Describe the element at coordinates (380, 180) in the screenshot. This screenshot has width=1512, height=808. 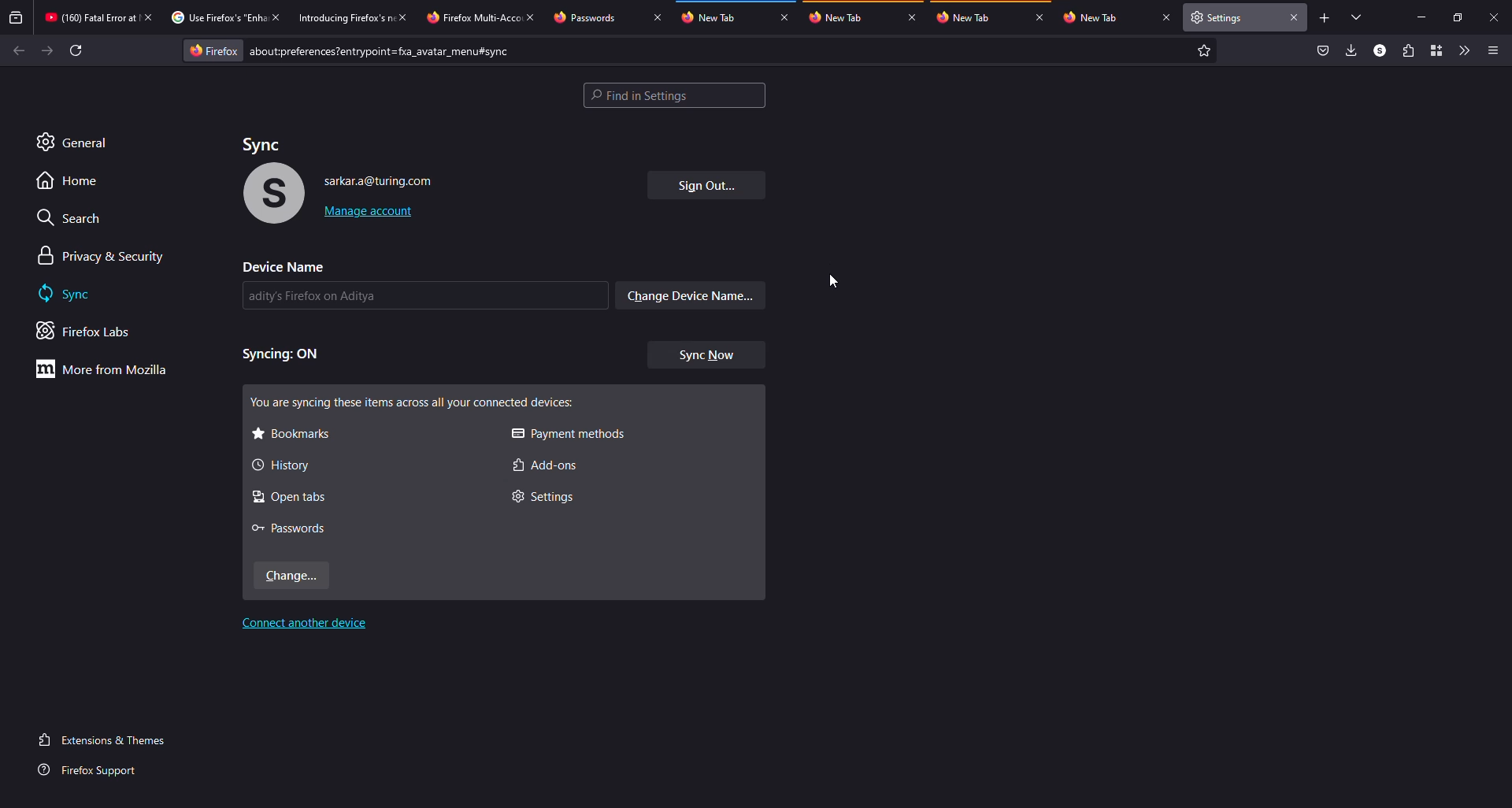
I see `account` at that location.